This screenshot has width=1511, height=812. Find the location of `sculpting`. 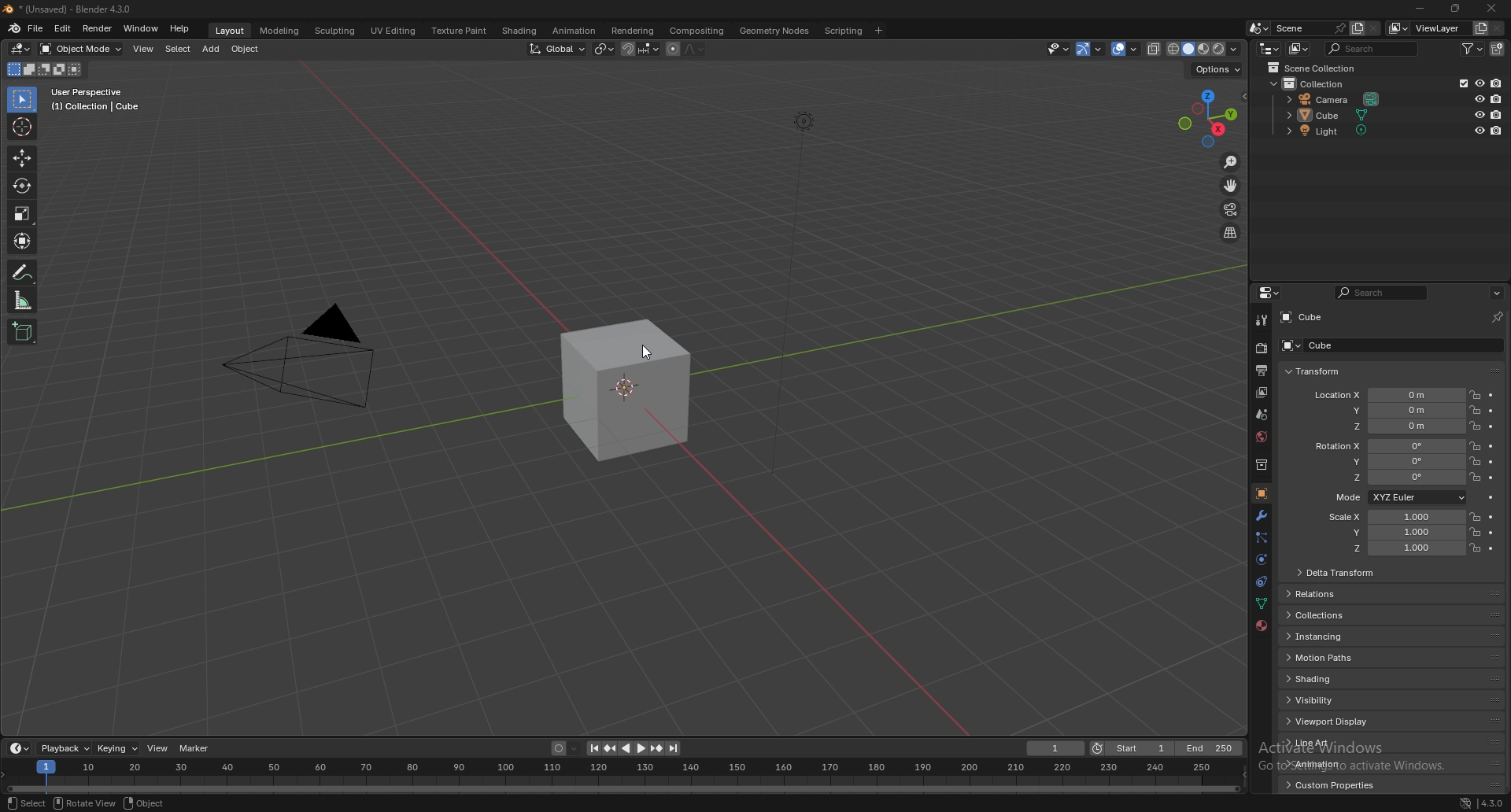

sculpting is located at coordinates (336, 31).